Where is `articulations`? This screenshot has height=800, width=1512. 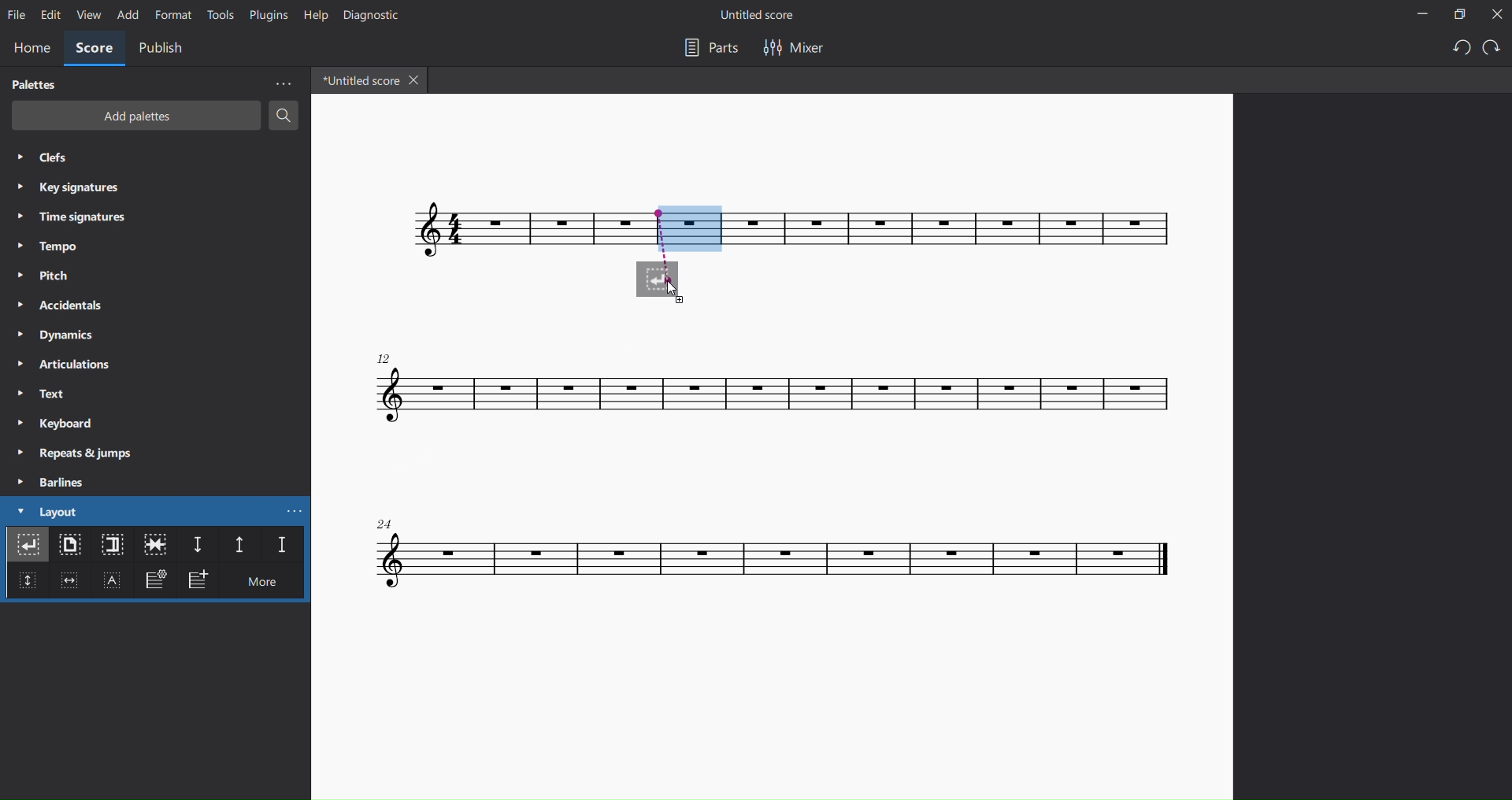
articulations is located at coordinates (64, 365).